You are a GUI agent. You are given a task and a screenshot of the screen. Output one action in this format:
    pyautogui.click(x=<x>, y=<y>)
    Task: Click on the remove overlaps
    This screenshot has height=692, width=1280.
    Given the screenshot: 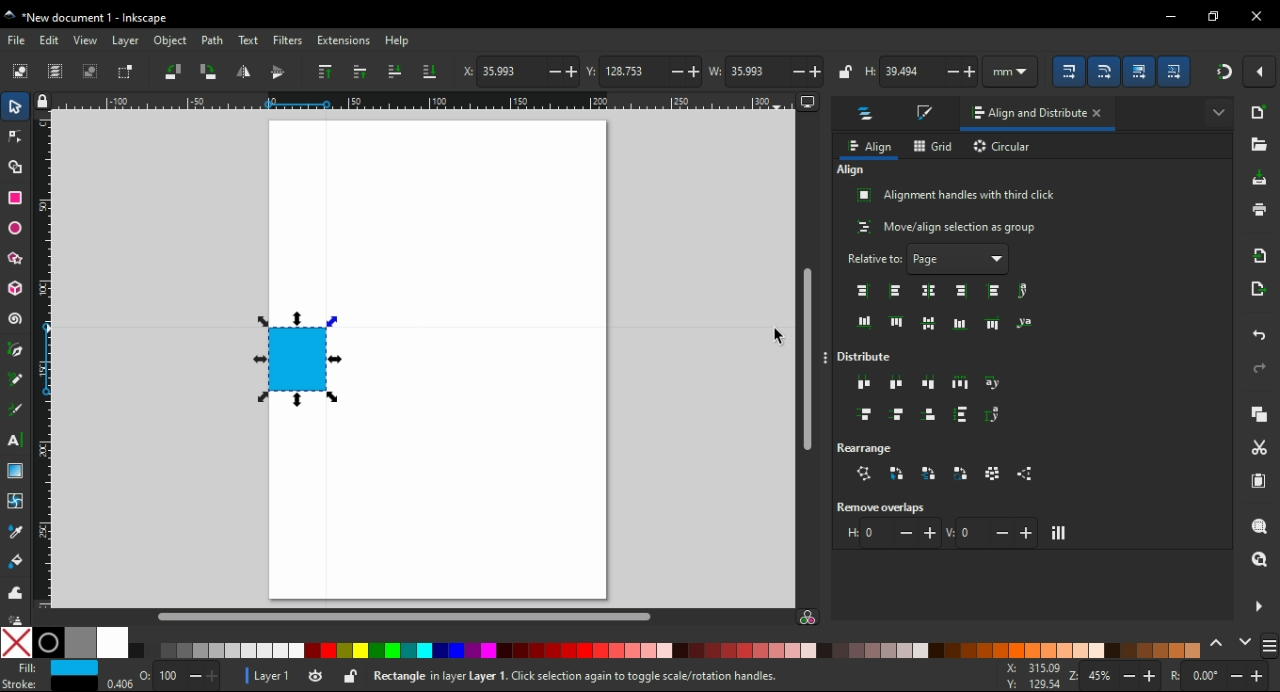 What is the action you would take?
    pyautogui.click(x=880, y=507)
    